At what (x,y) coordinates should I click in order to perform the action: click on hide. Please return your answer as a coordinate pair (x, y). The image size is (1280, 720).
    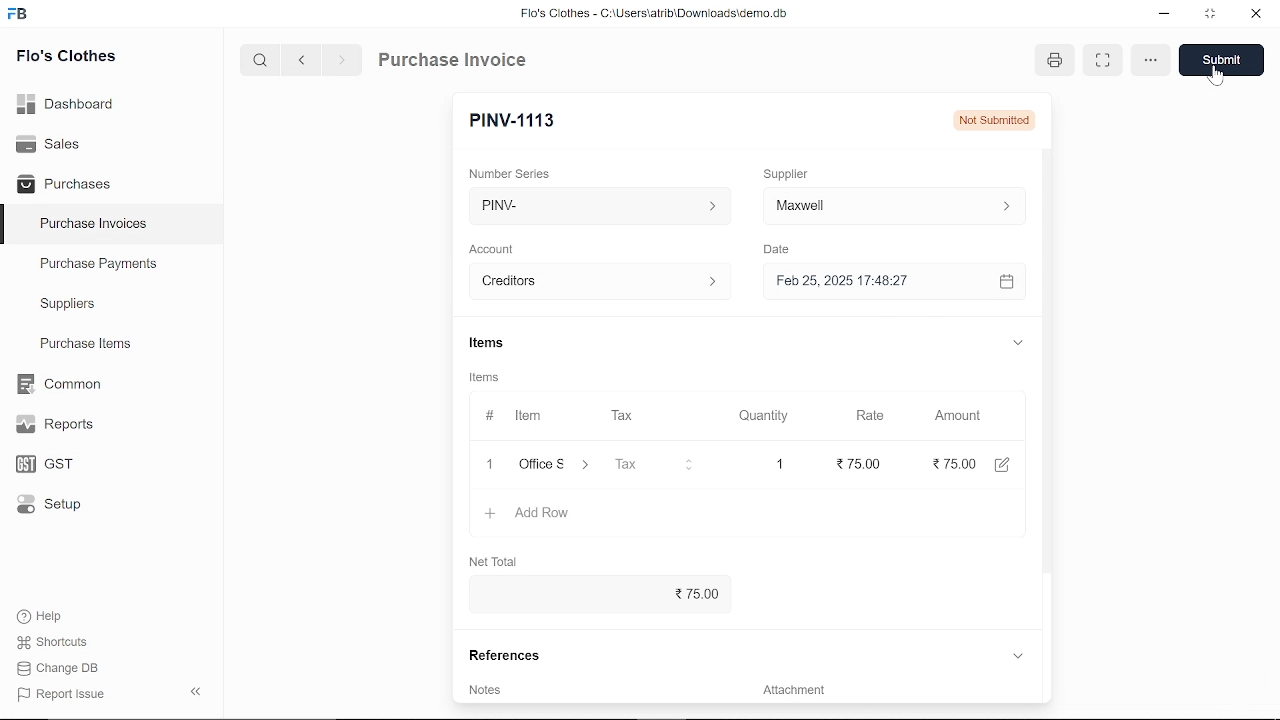
    Looking at the image, I should click on (192, 693).